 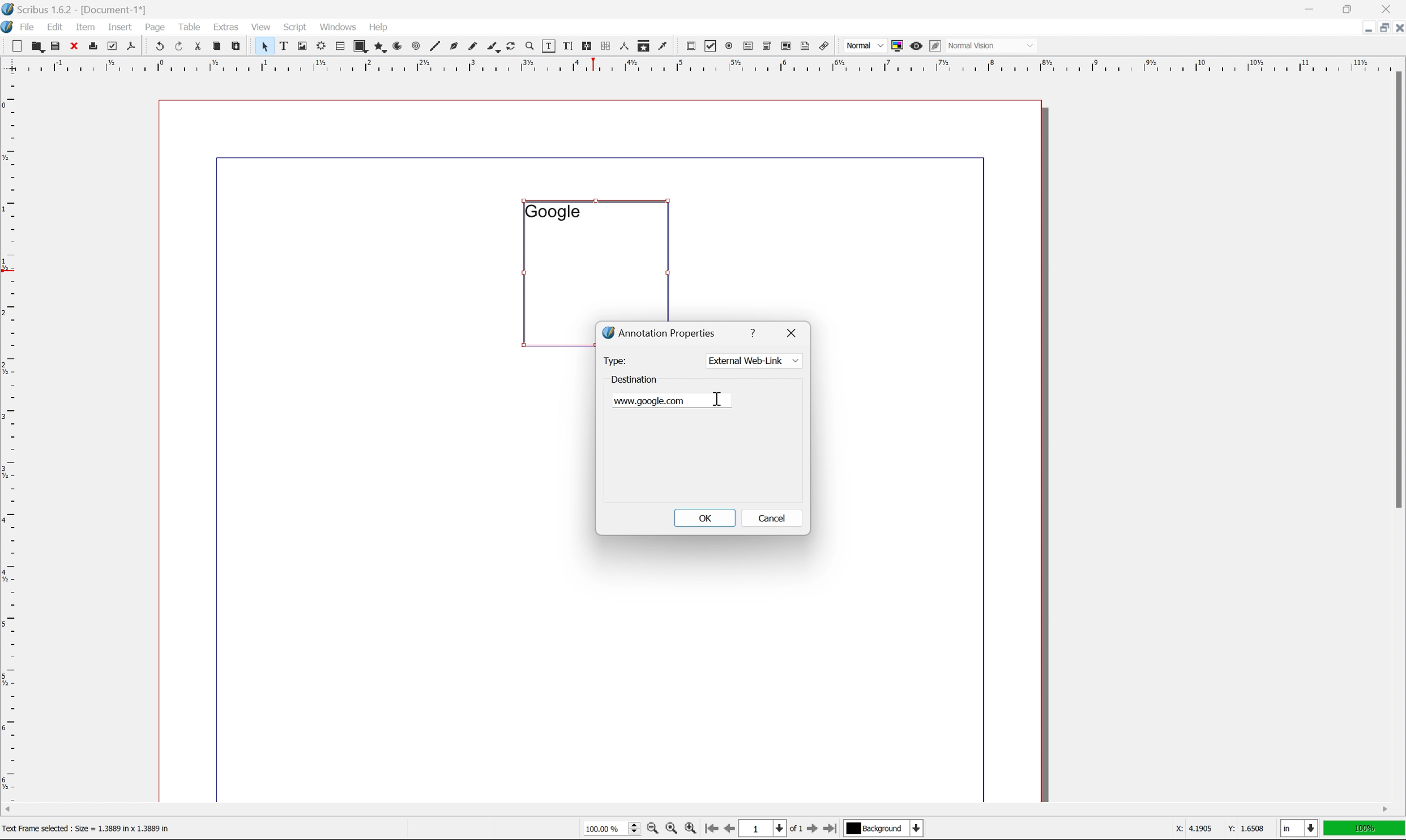 What do you see at coordinates (935, 46) in the screenshot?
I see `edit in preview mode` at bounding box center [935, 46].